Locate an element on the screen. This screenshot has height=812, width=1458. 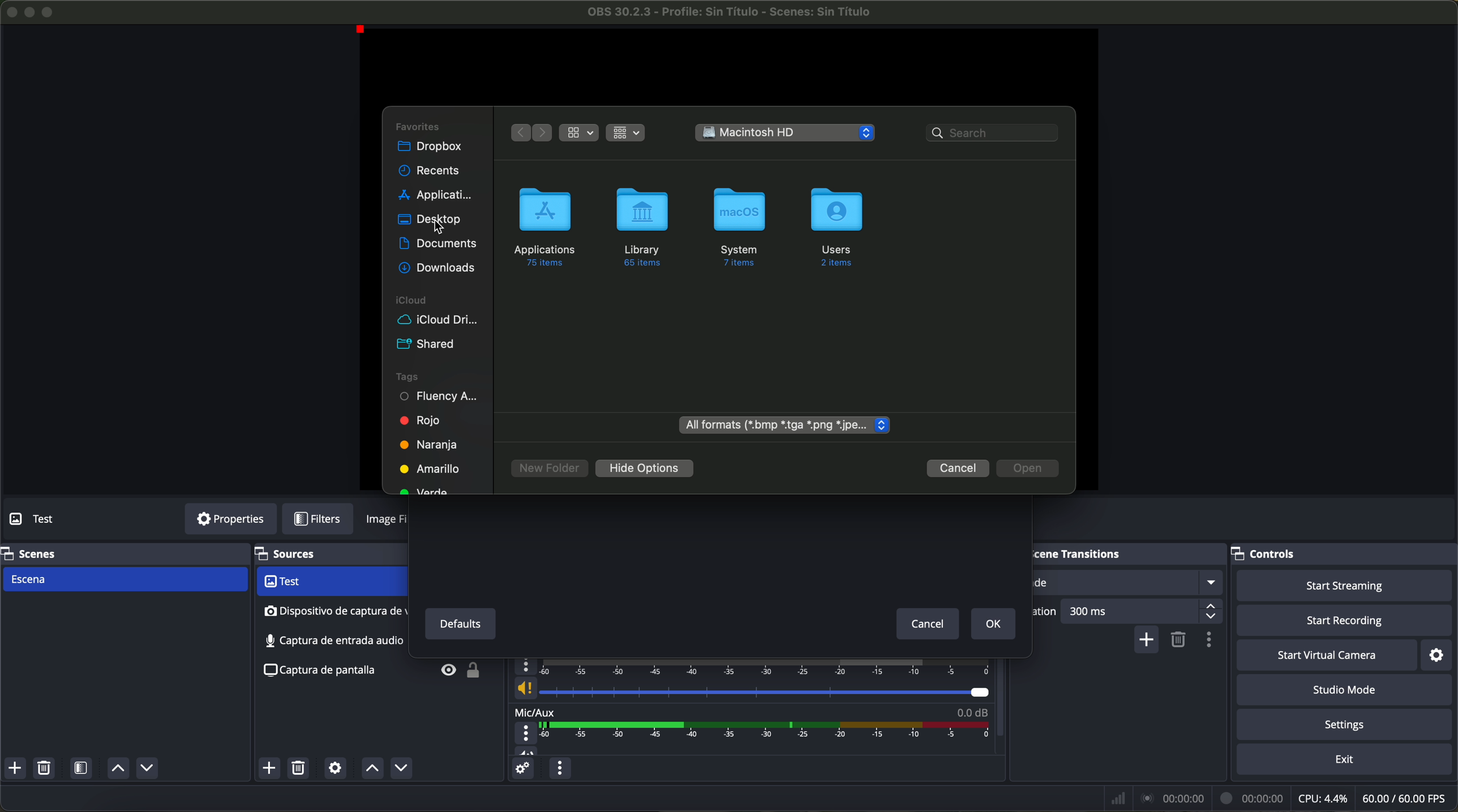
red is located at coordinates (418, 421).